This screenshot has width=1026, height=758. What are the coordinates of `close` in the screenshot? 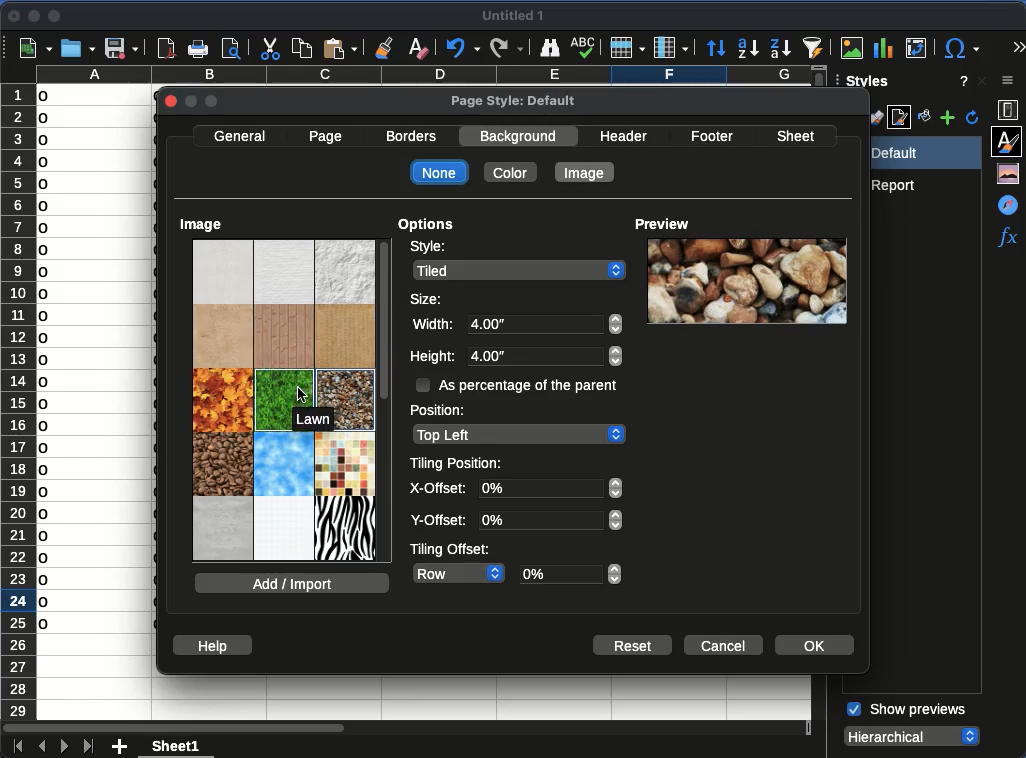 It's located at (172, 102).